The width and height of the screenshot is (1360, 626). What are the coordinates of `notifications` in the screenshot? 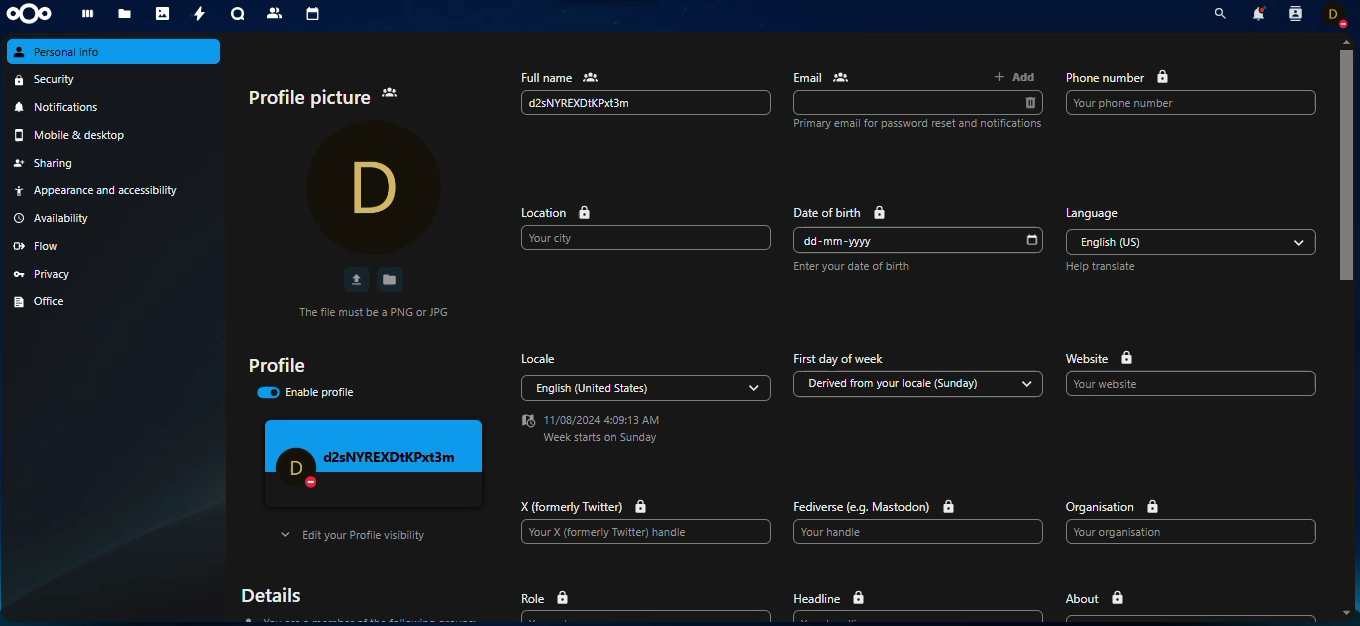 It's located at (115, 106).